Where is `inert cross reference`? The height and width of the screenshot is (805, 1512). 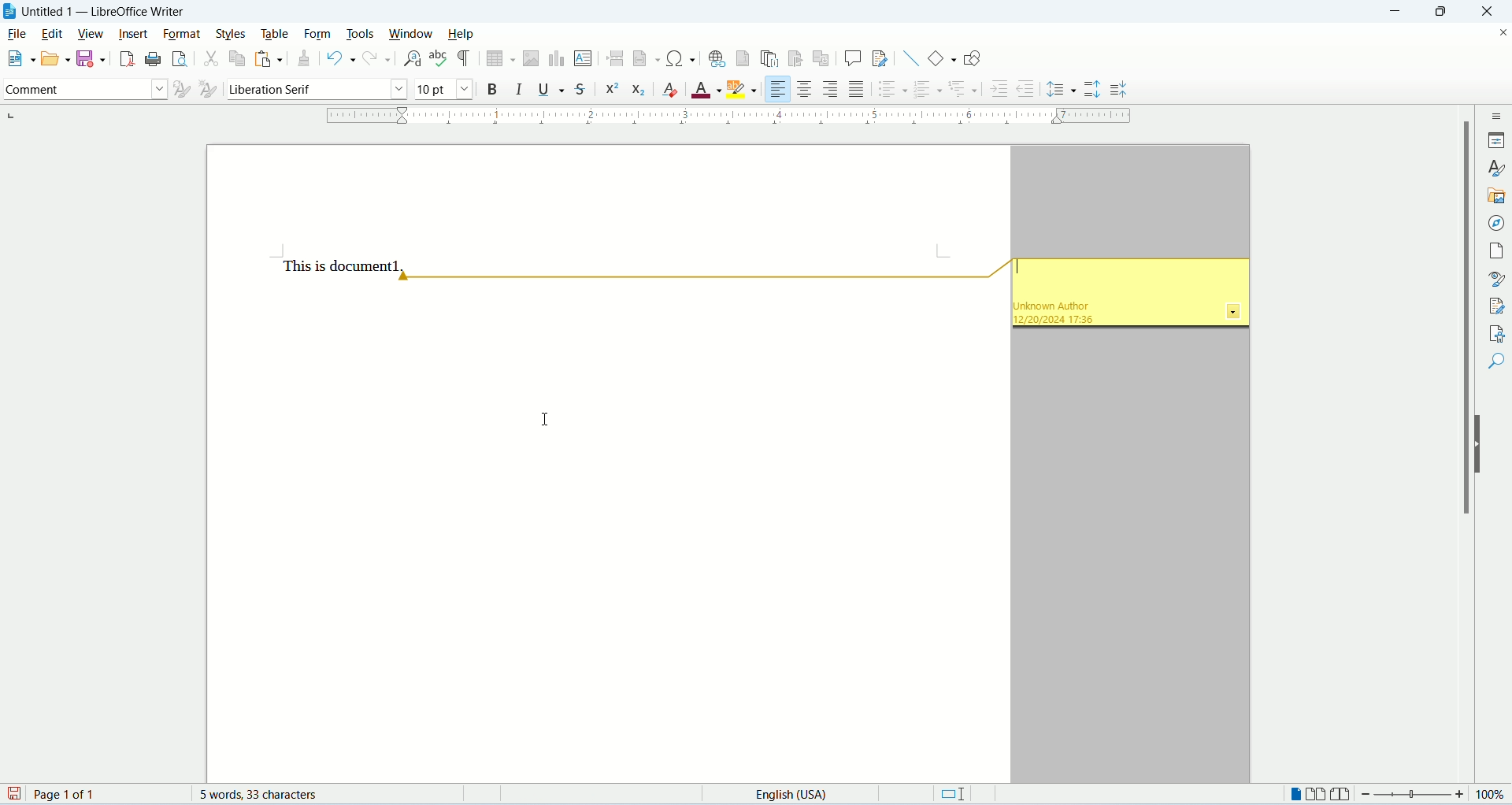
inert cross reference is located at coordinates (823, 60).